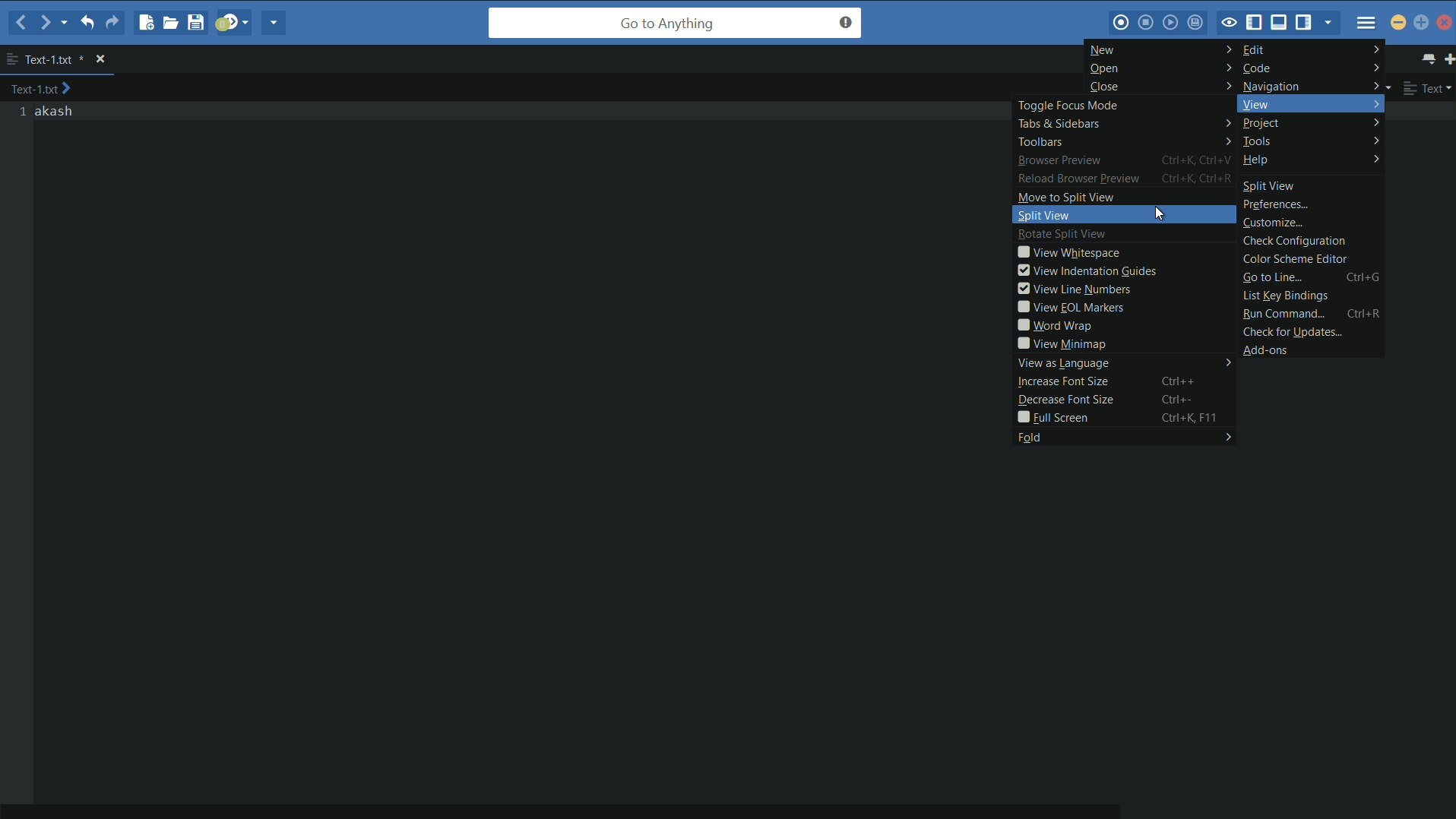 The image size is (1456, 819). Describe the element at coordinates (1398, 22) in the screenshot. I see `minimize` at that location.